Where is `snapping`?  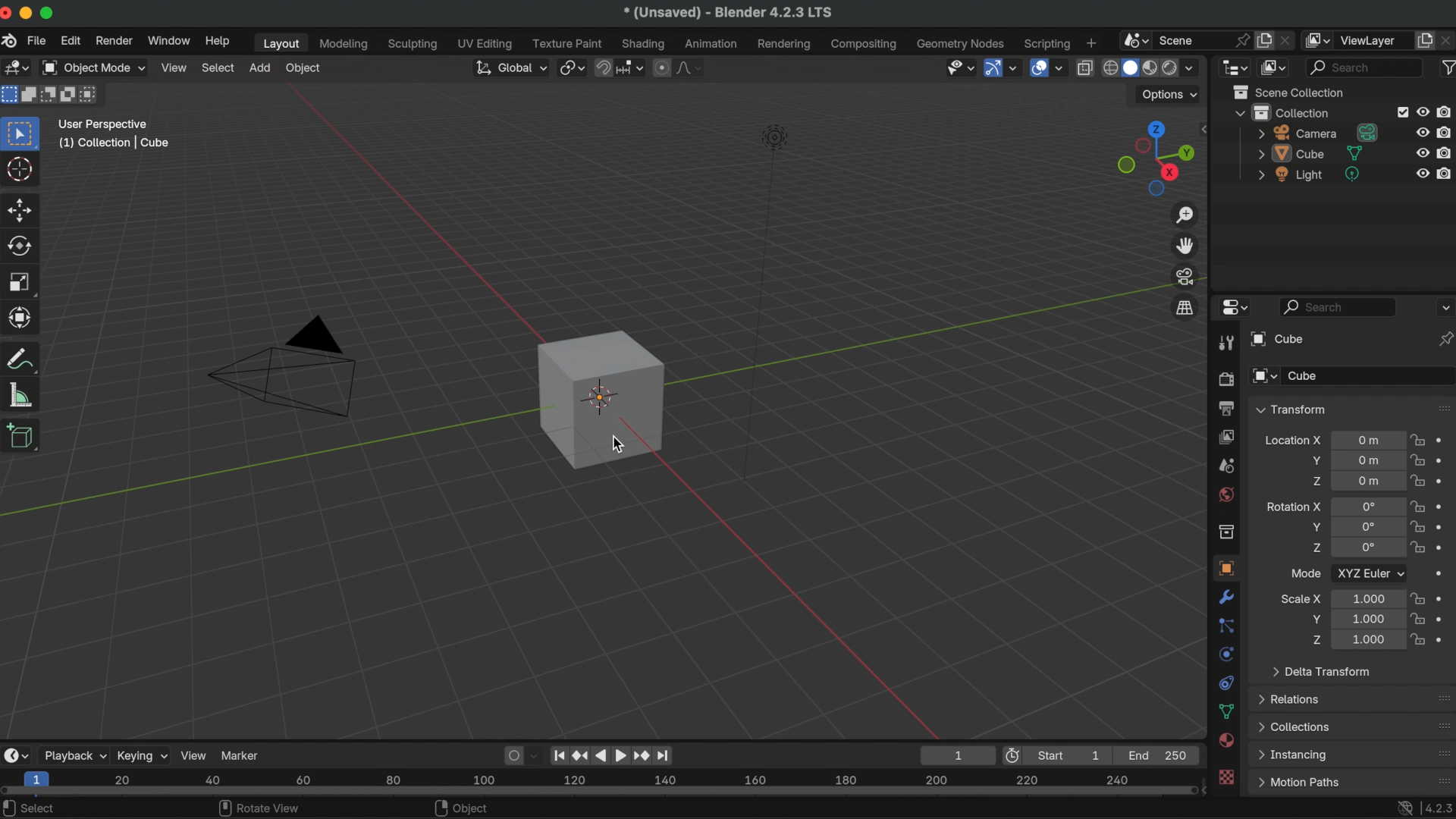
snapping is located at coordinates (632, 67).